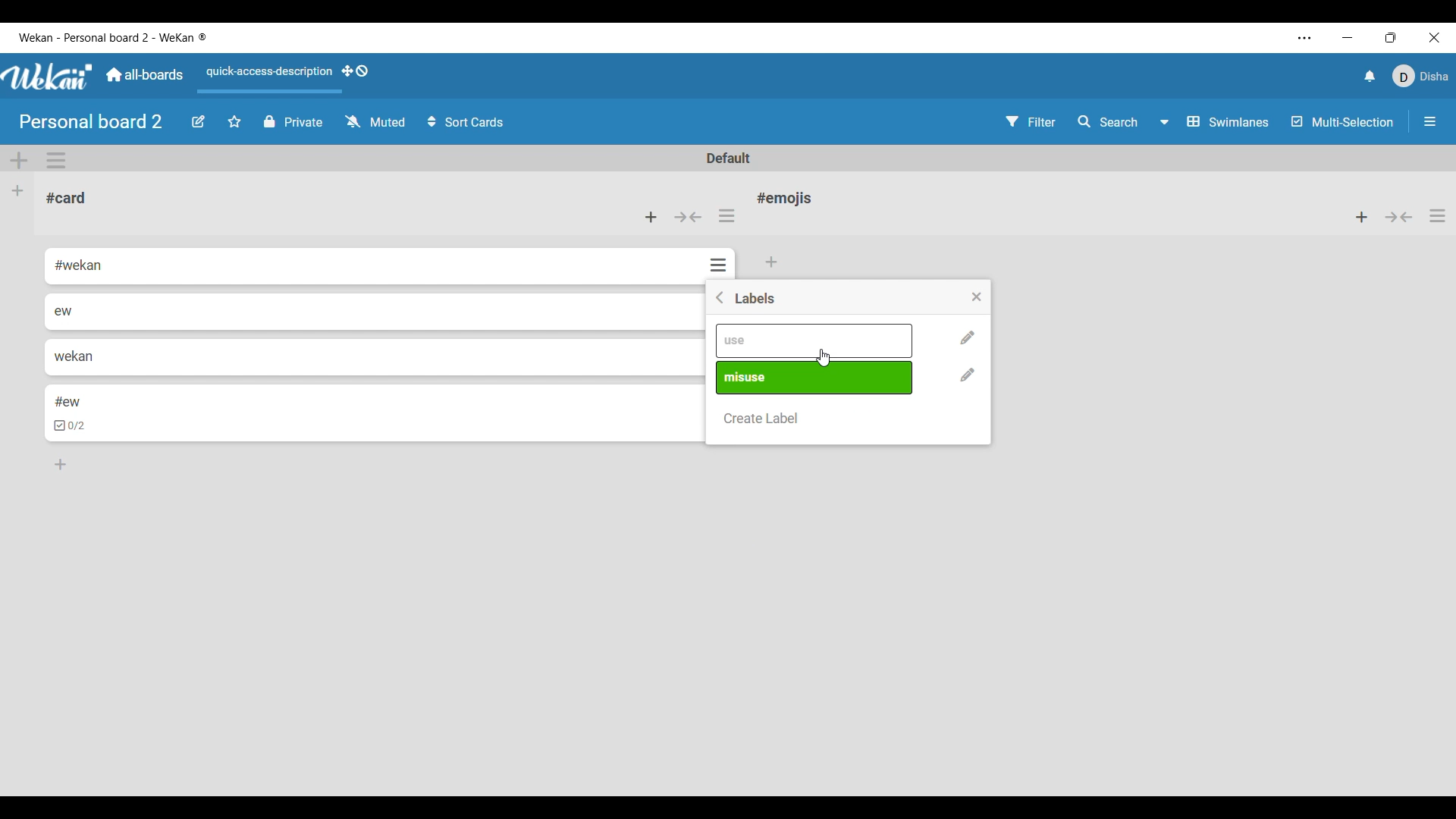 This screenshot has height=819, width=1456. What do you see at coordinates (1391, 37) in the screenshot?
I see `Show interface in a smaller tab` at bounding box center [1391, 37].